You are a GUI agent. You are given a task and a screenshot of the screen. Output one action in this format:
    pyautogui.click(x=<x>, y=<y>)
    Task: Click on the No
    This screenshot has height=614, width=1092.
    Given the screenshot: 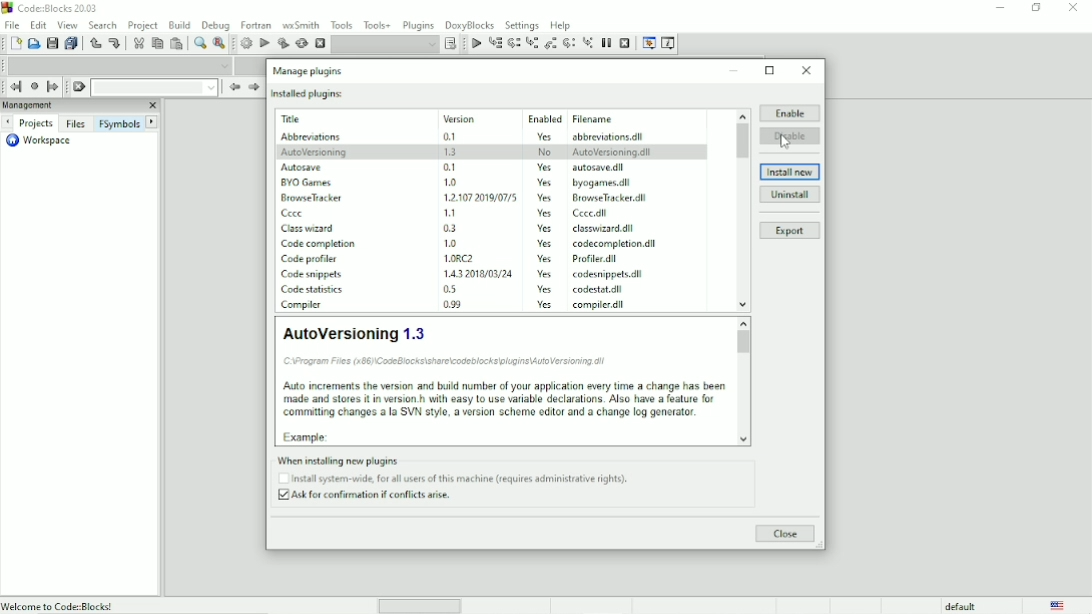 What is the action you would take?
    pyautogui.click(x=547, y=151)
    